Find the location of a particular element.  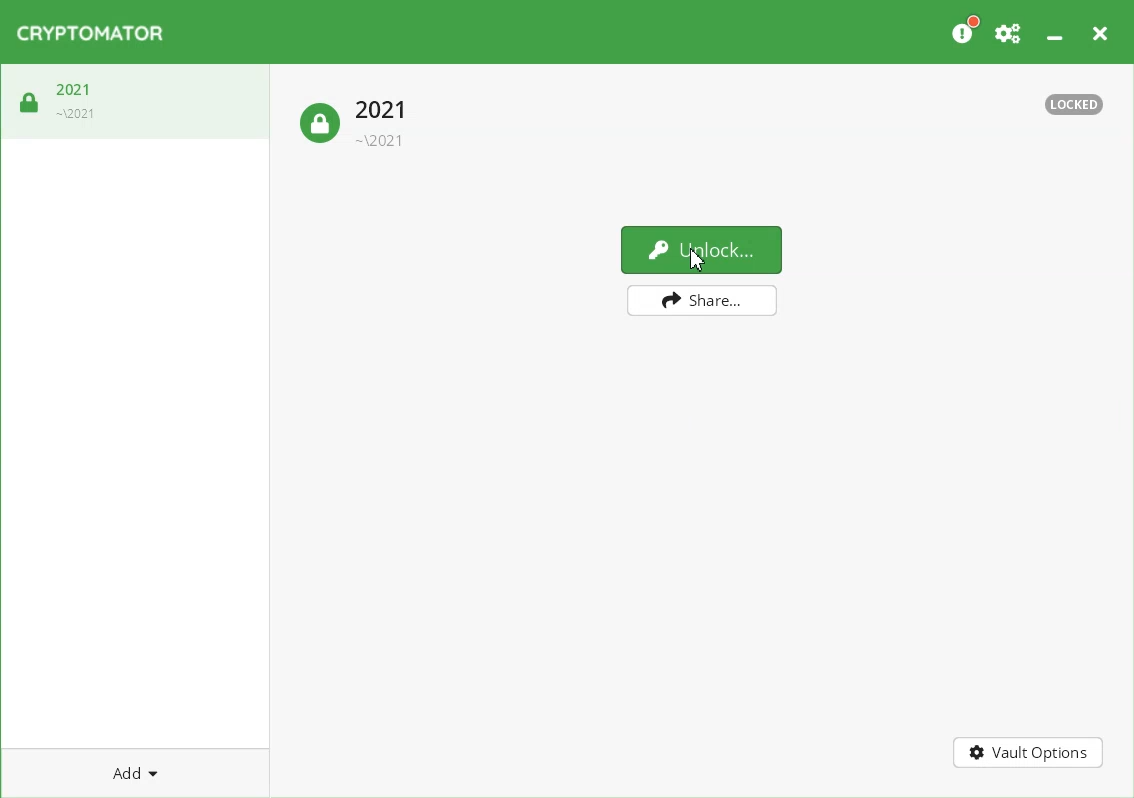

Vault Lock is located at coordinates (359, 120).